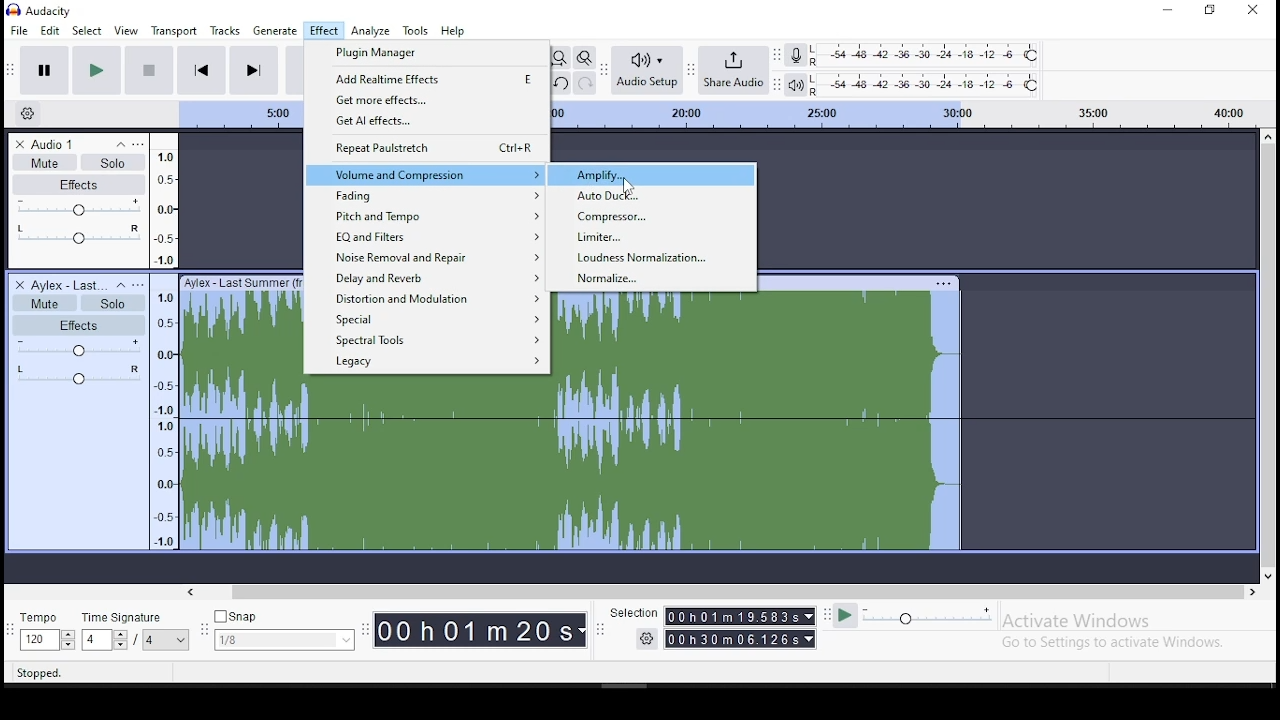 The width and height of the screenshot is (1280, 720). Describe the element at coordinates (43, 162) in the screenshot. I see `mute` at that location.